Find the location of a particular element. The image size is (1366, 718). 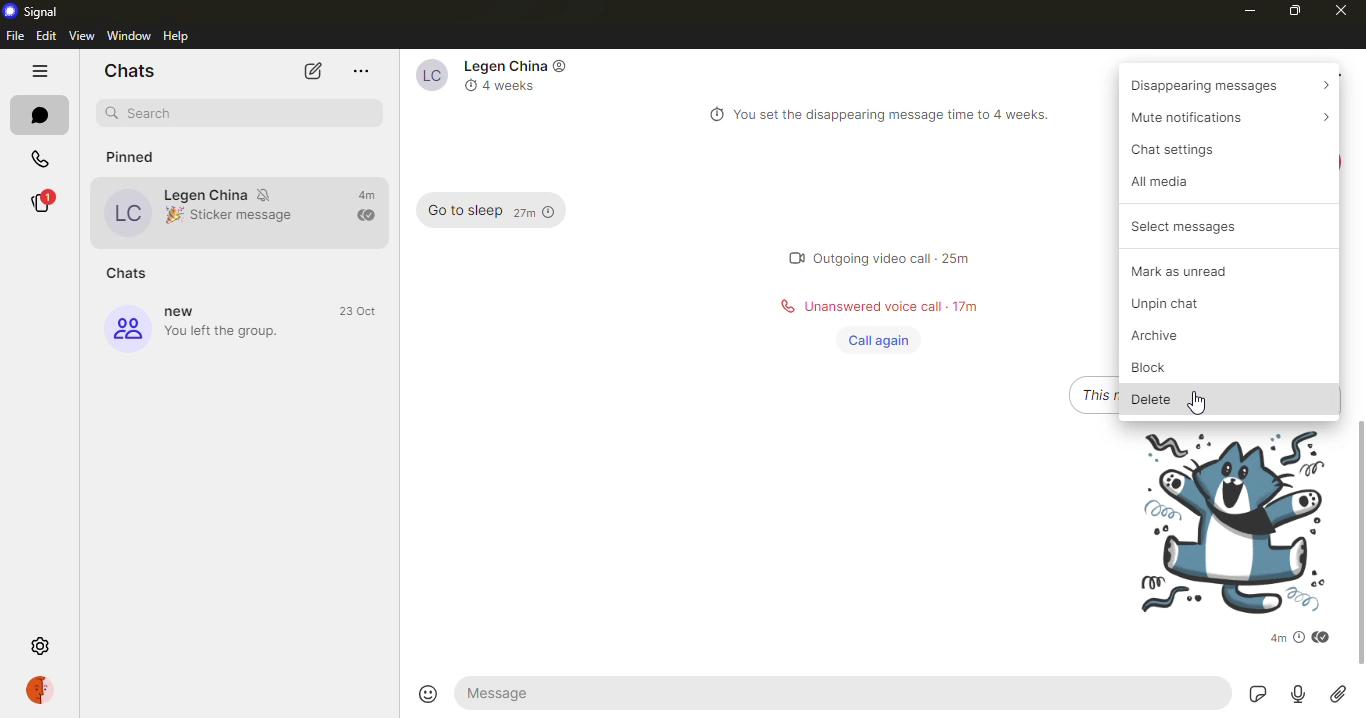

record is located at coordinates (1299, 694).